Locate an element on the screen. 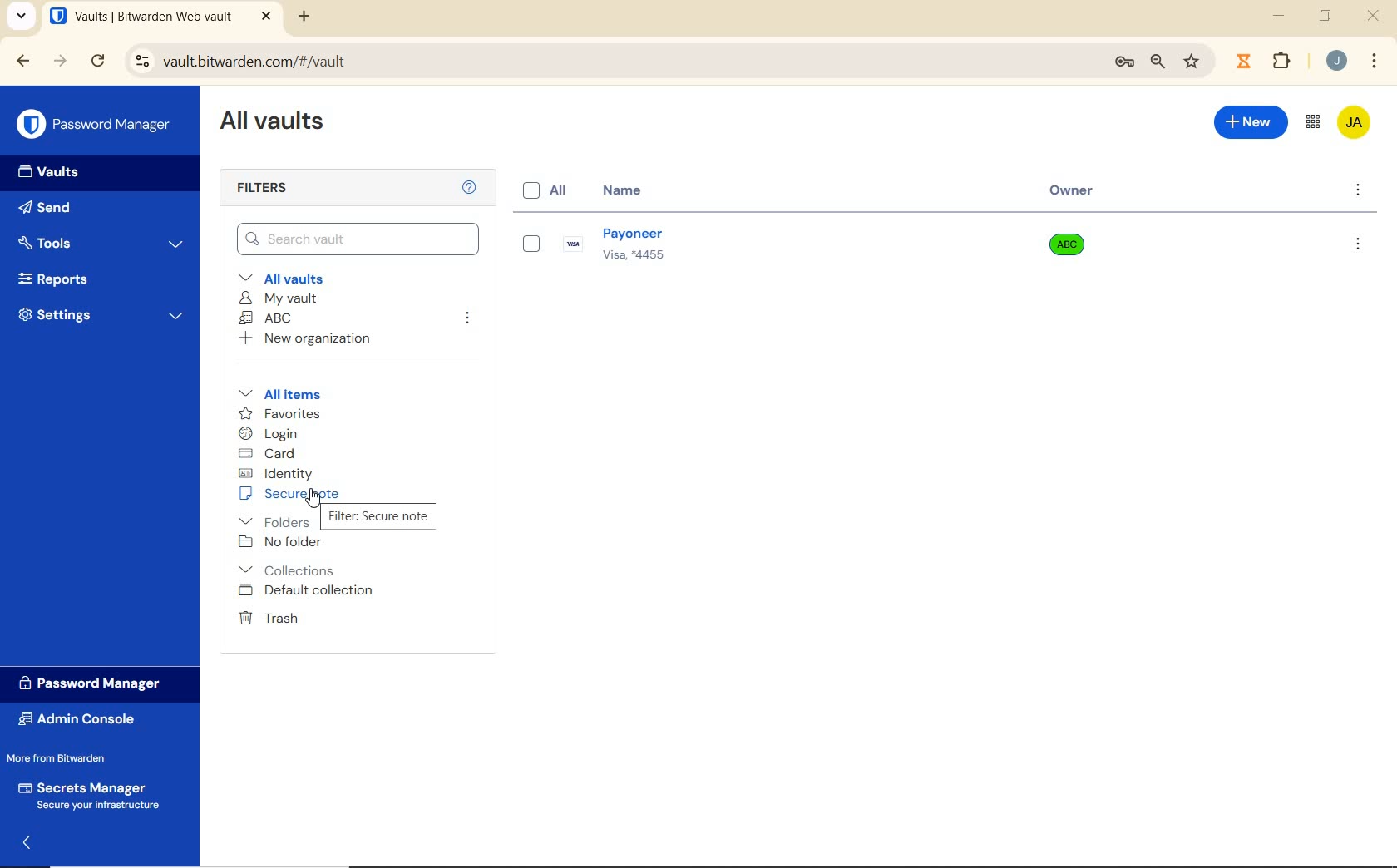  more options is located at coordinates (1360, 192).